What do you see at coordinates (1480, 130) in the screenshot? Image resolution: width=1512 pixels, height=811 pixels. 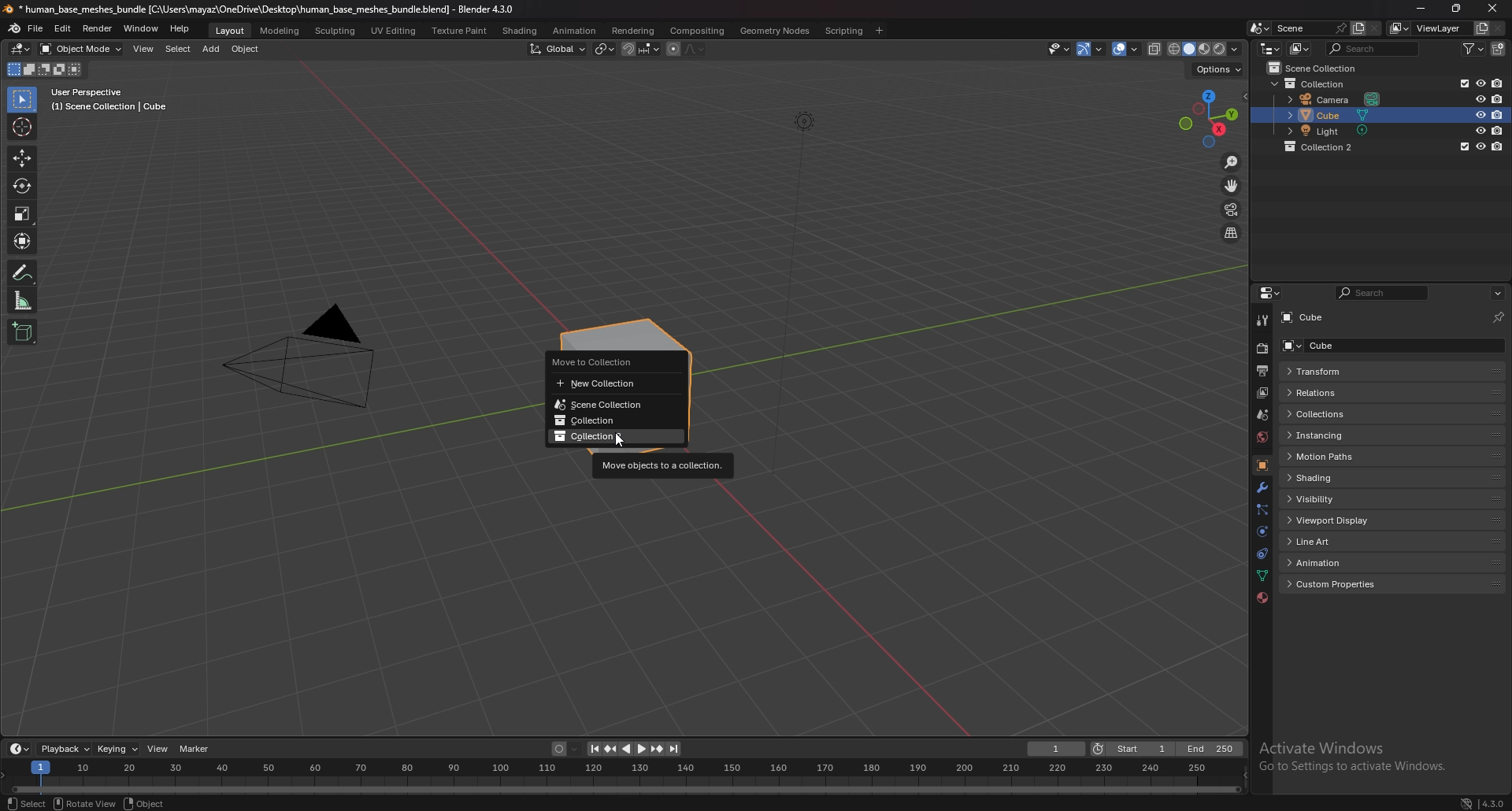 I see `hide in viewport` at bounding box center [1480, 130].